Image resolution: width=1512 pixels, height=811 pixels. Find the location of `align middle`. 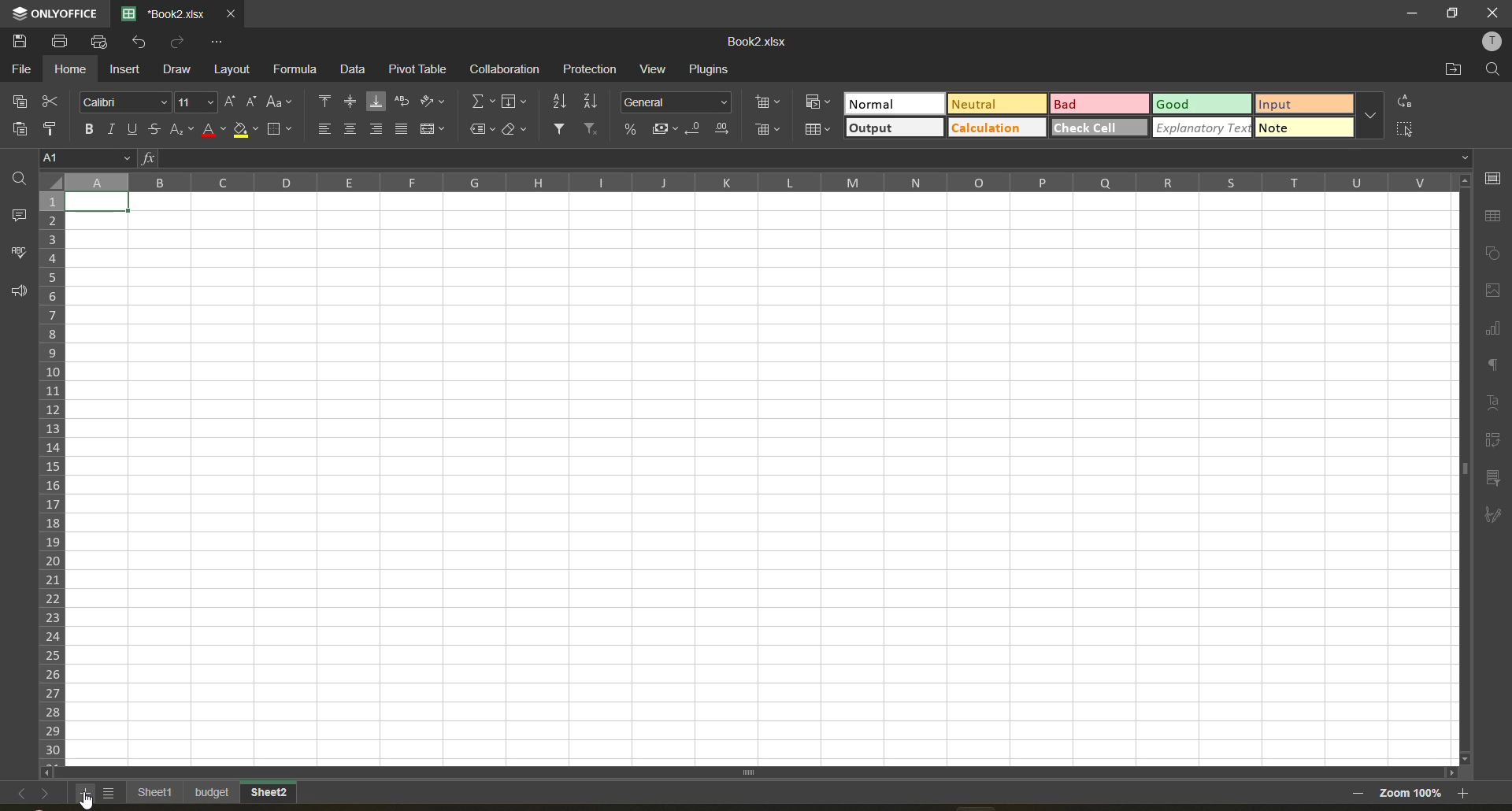

align middle is located at coordinates (350, 102).